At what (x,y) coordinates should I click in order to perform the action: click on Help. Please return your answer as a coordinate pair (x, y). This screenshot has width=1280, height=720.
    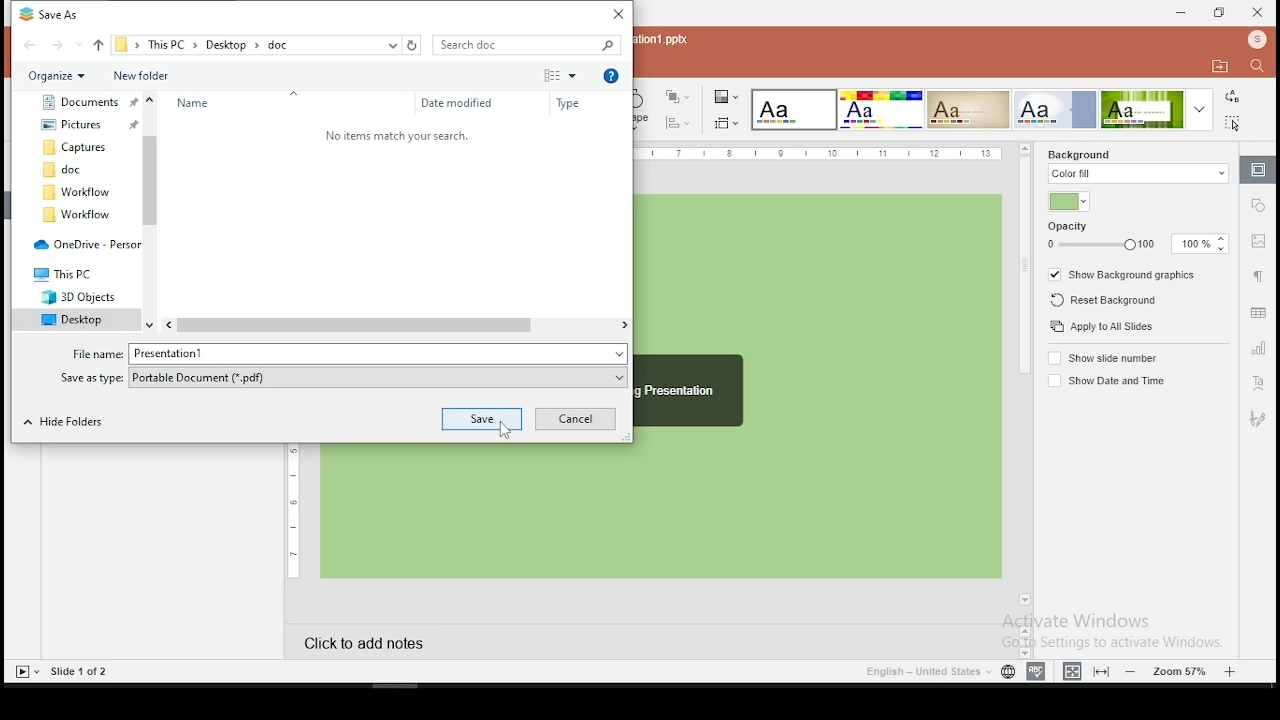
    Looking at the image, I should click on (613, 77).